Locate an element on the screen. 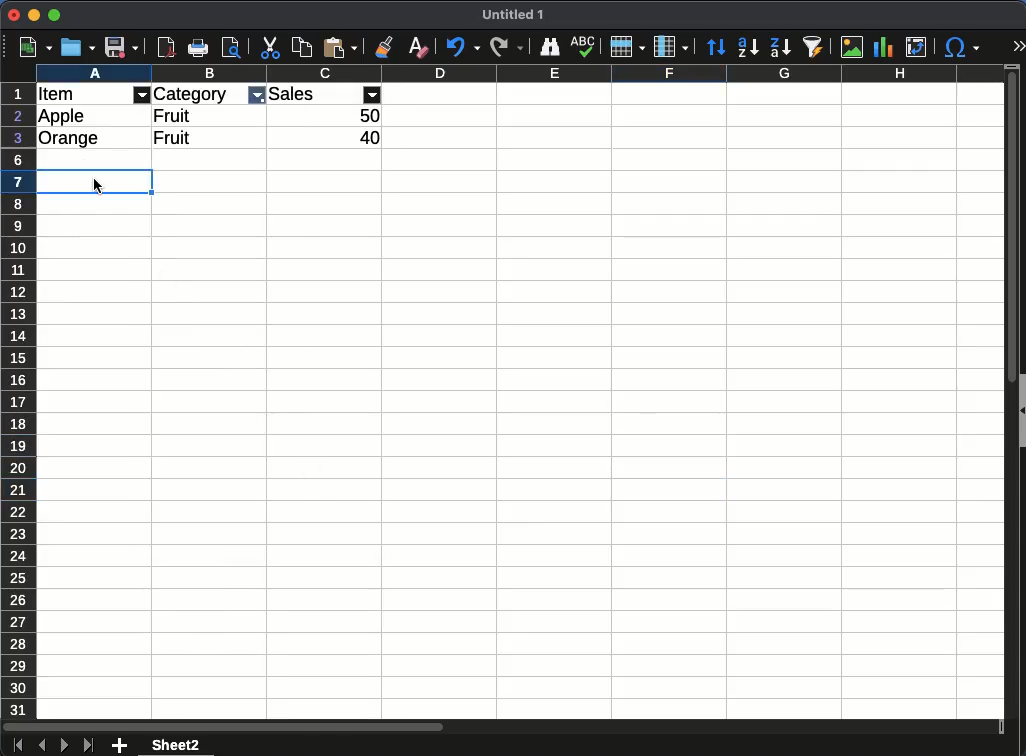 The height and width of the screenshot is (756, 1026). minimize is located at coordinates (34, 15).